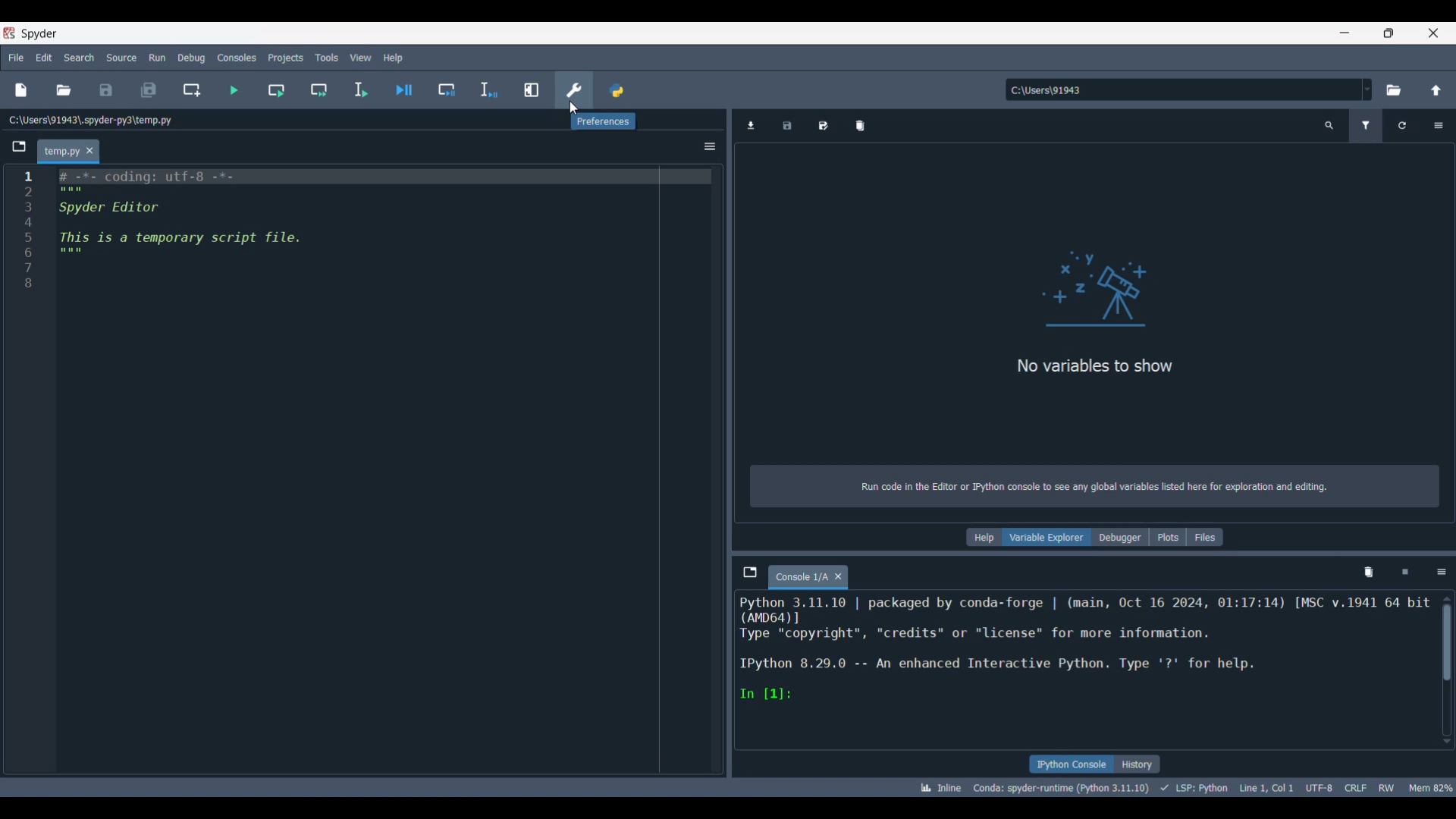 The height and width of the screenshot is (819, 1456). What do you see at coordinates (1329, 126) in the screenshot?
I see `Search variable names and types` at bounding box center [1329, 126].